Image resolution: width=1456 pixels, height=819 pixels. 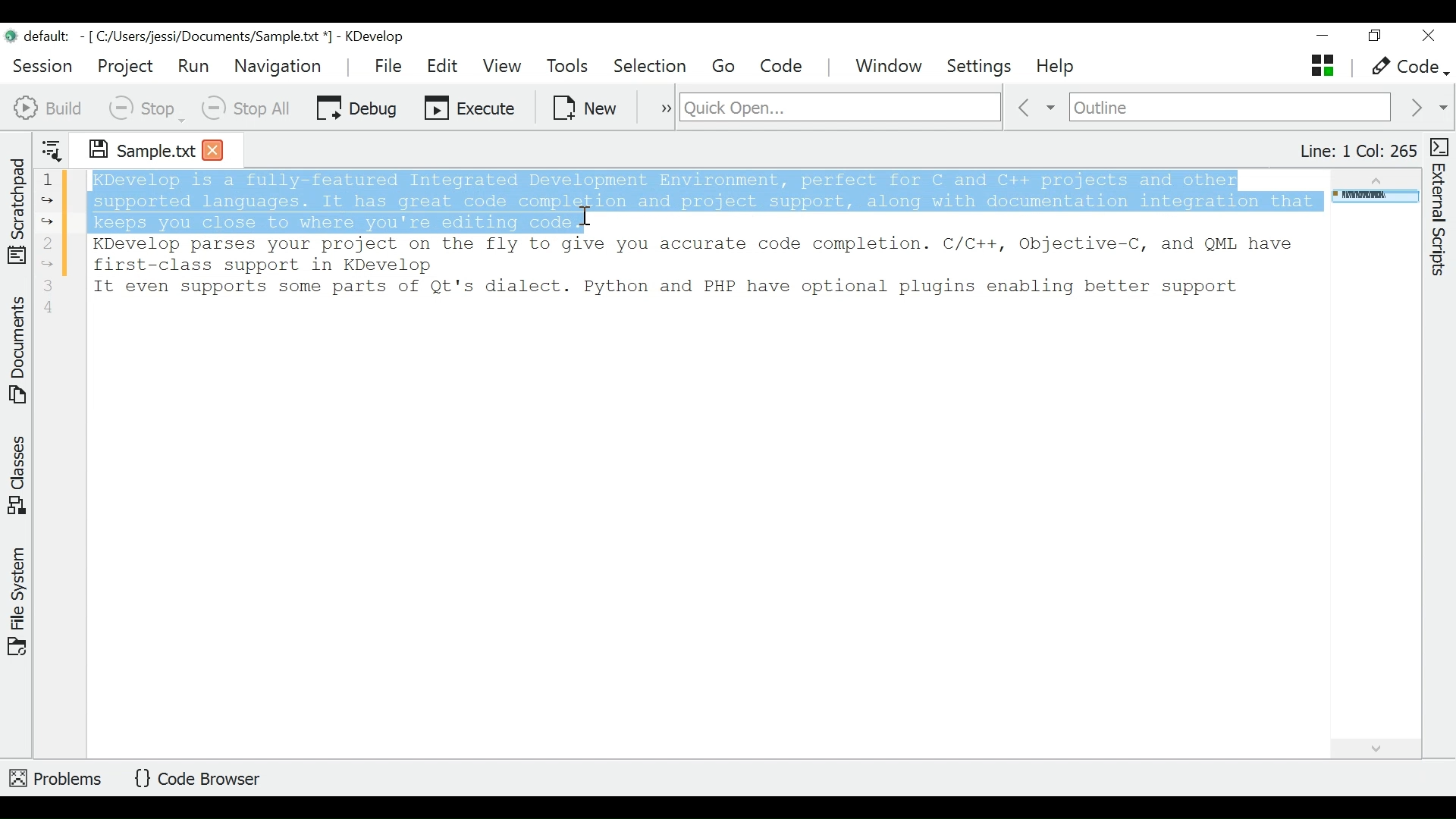 I want to click on Debug, so click(x=356, y=106).